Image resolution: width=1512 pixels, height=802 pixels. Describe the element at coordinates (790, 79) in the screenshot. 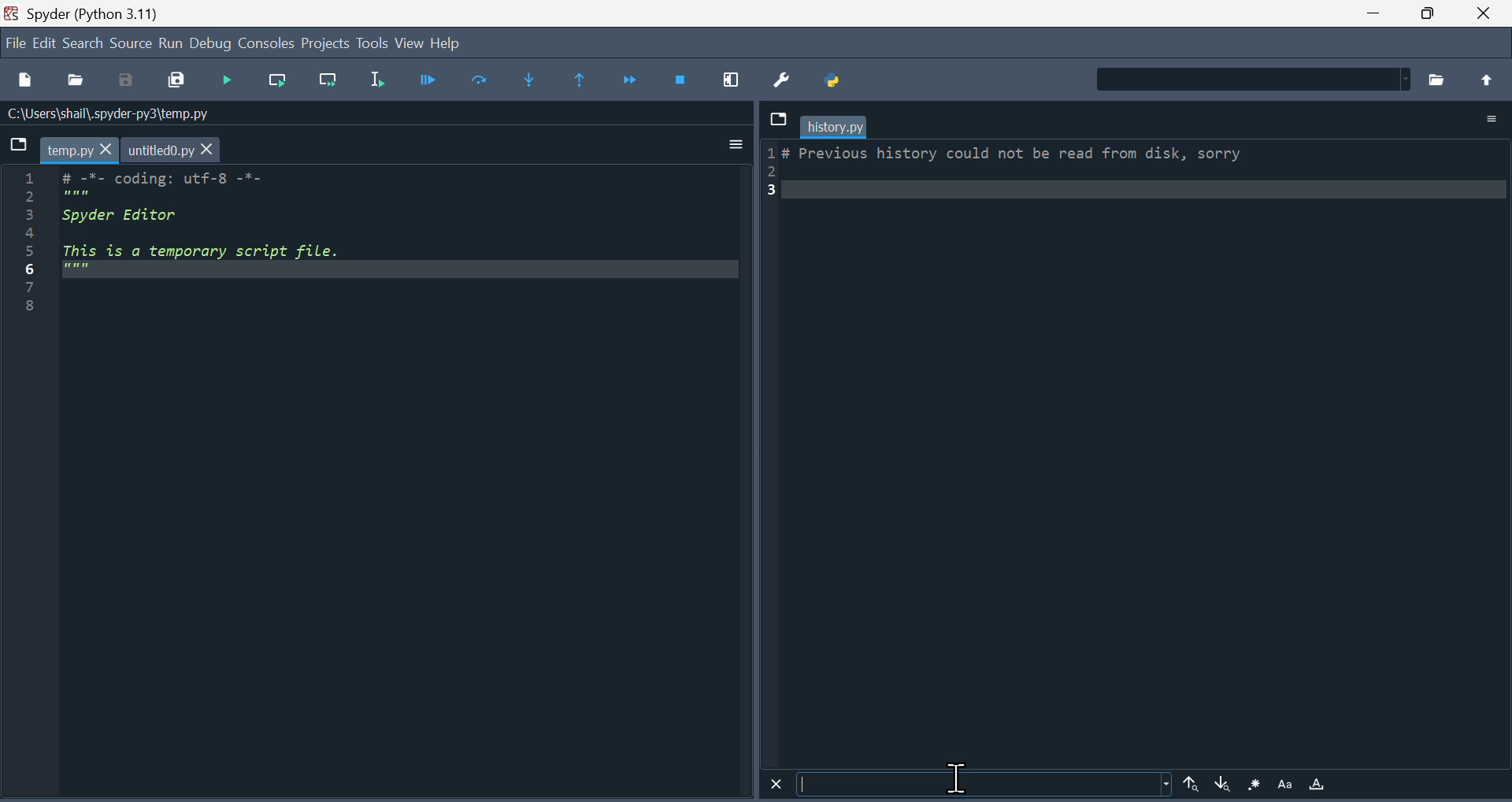

I see `Preferences` at that location.